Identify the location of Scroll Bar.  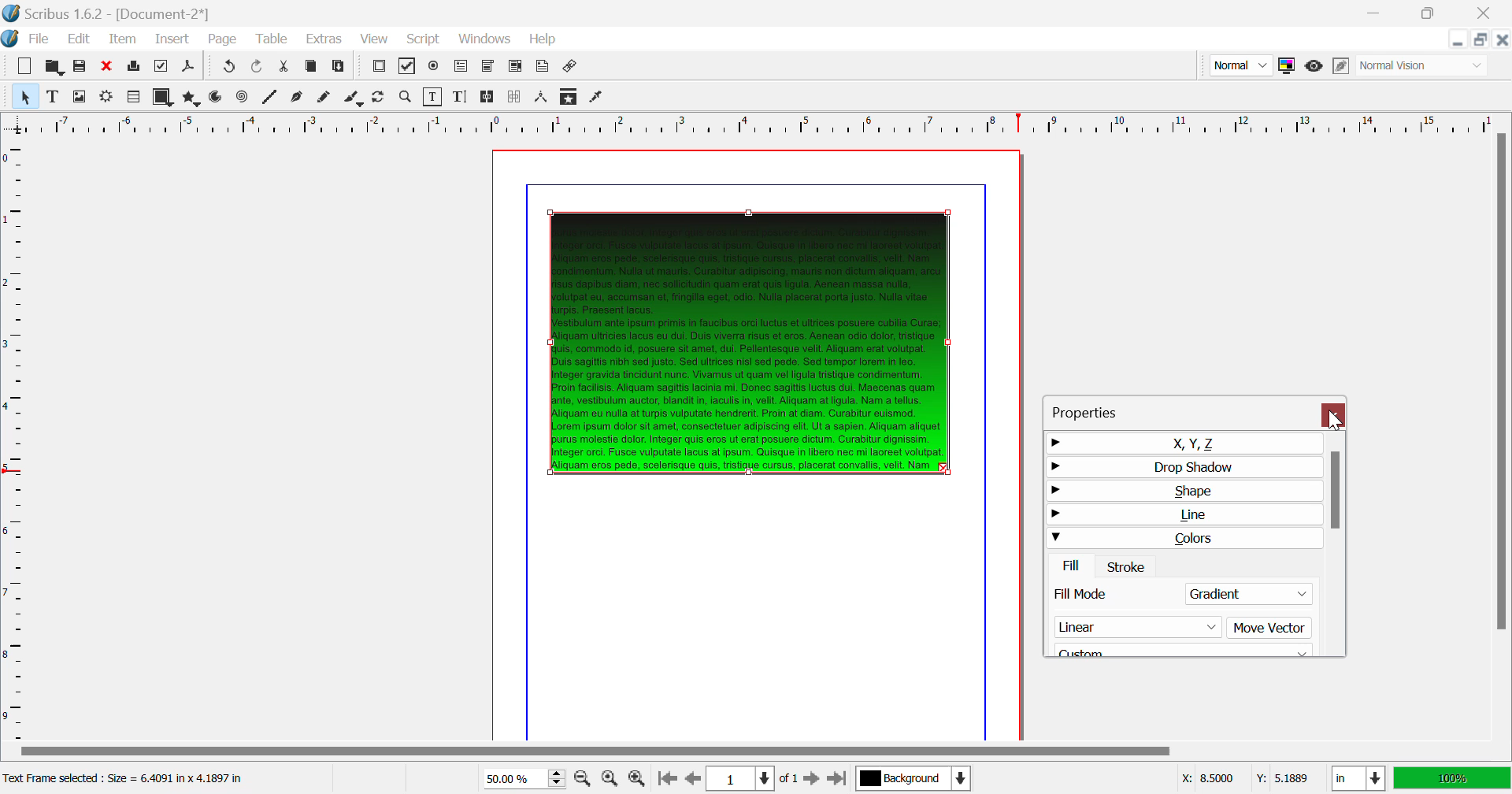
(1502, 435).